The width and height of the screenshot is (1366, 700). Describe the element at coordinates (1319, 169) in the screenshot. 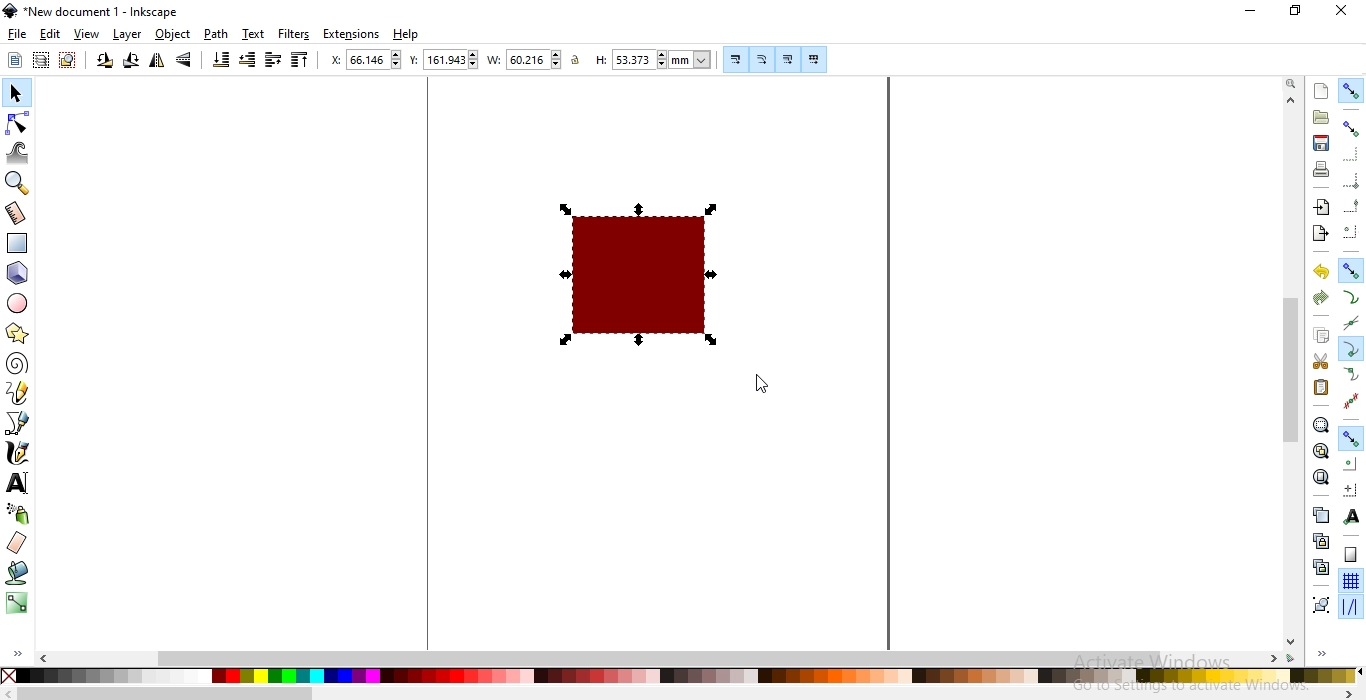

I see `print document` at that location.